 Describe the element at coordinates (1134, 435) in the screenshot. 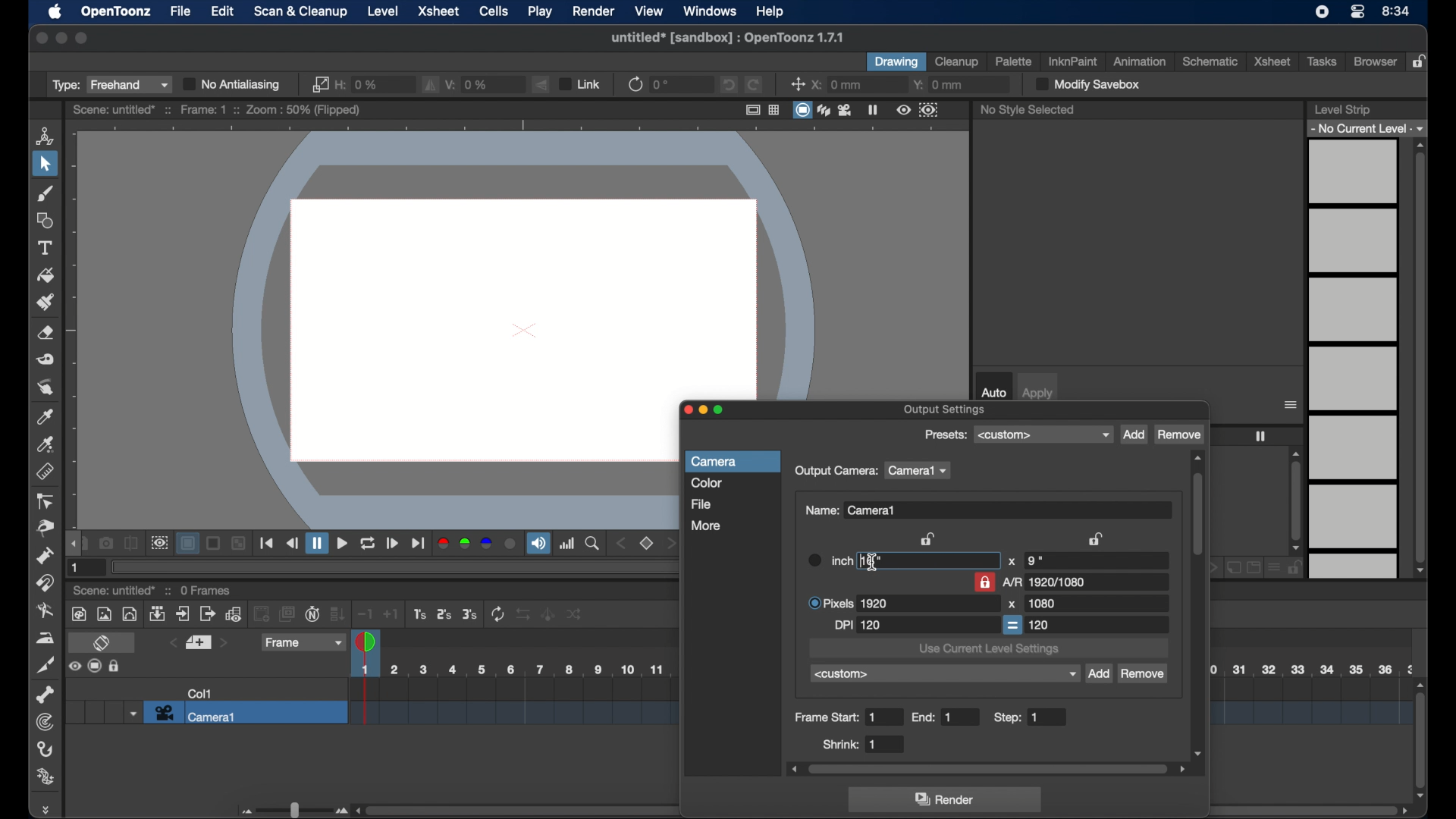

I see `add` at that location.